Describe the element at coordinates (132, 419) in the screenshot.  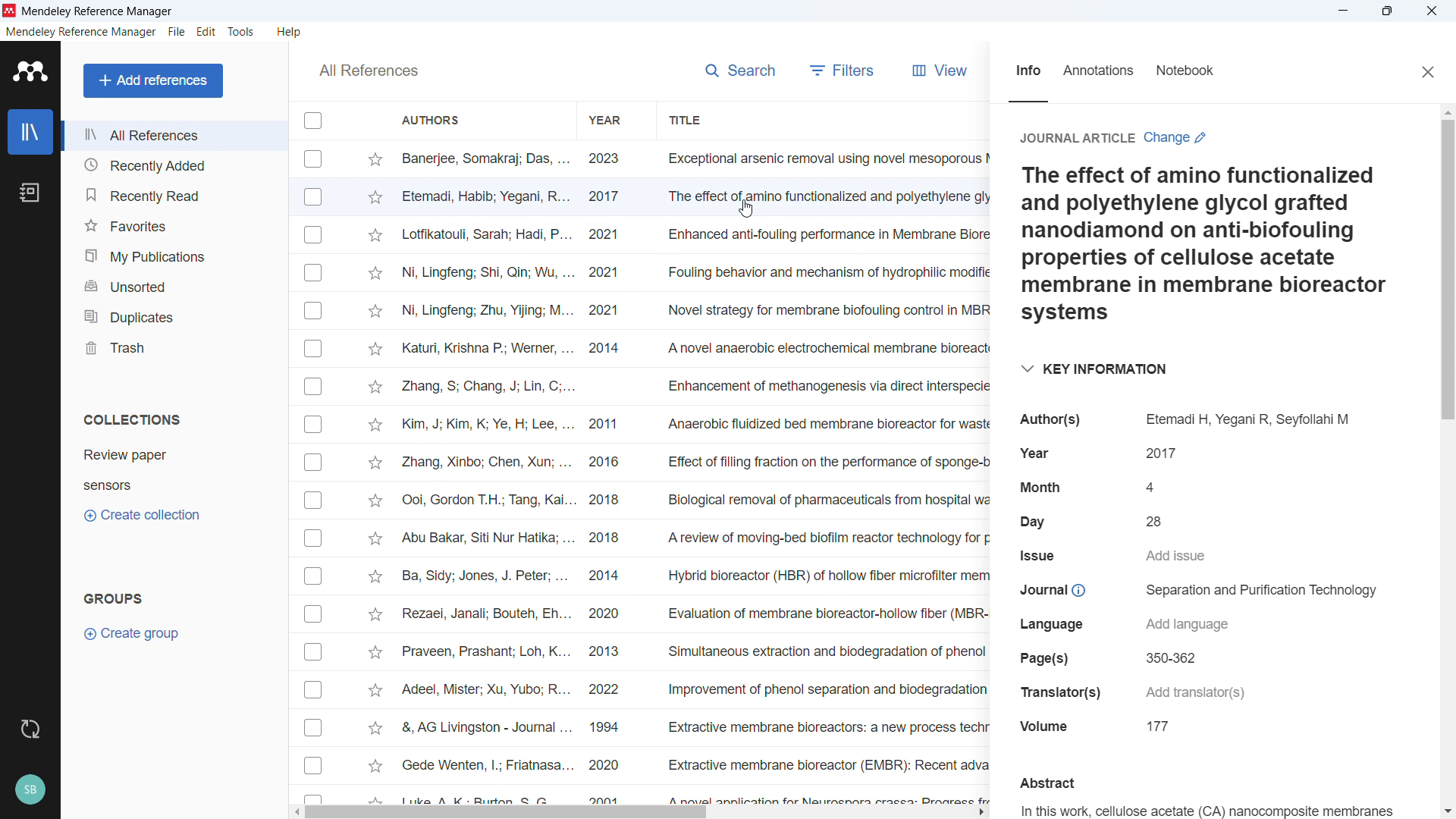
I see `collections ` at that location.